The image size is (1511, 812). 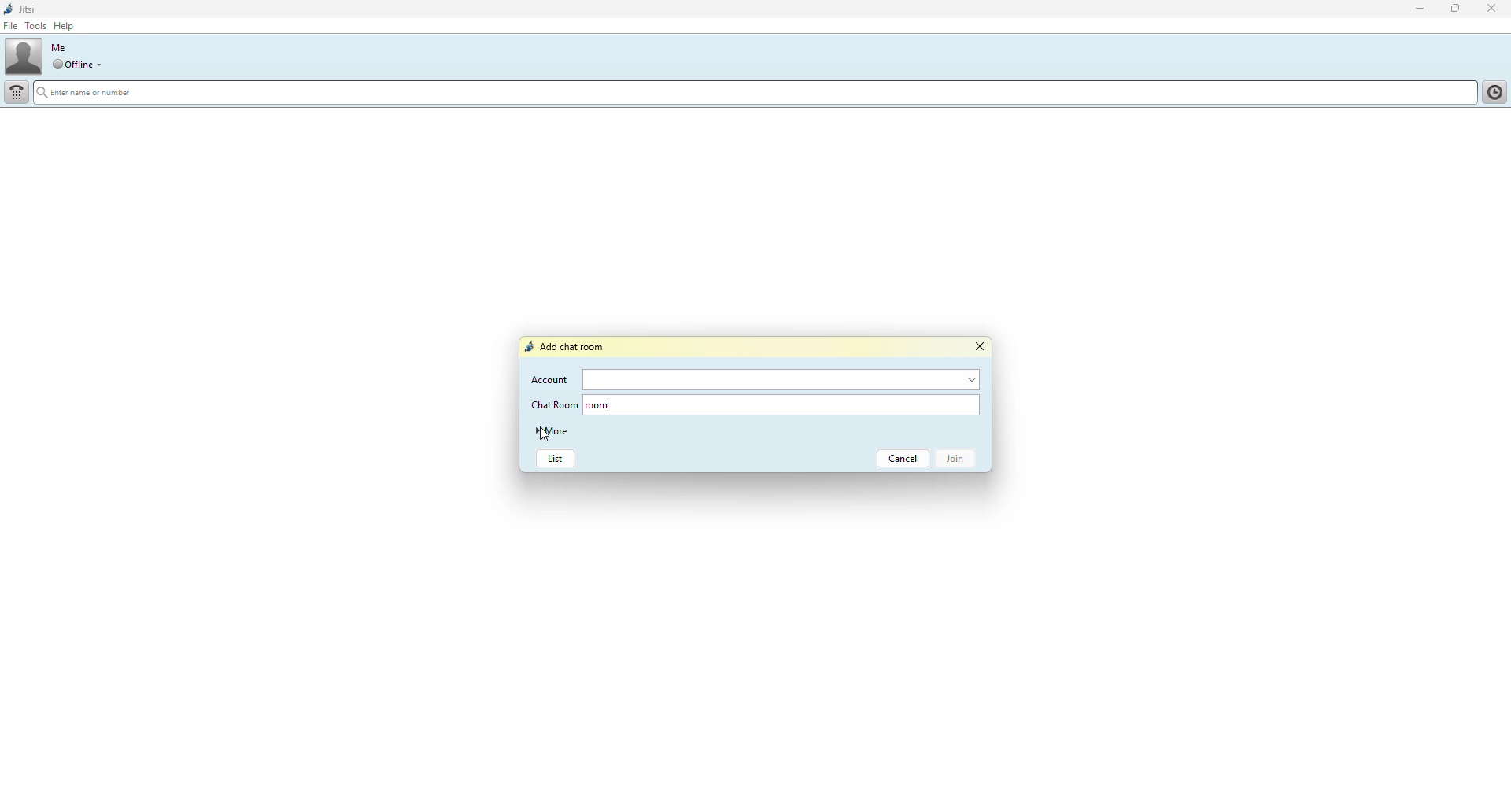 I want to click on close, so click(x=983, y=347).